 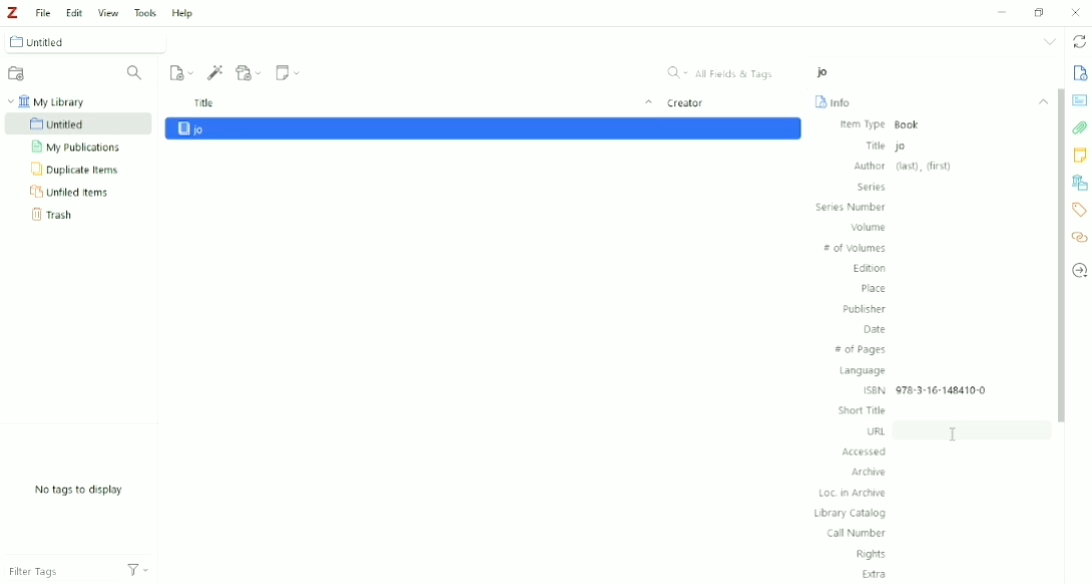 What do you see at coordinates (863, 371) in the screenshot?
I see `Language` at bounding box center [863, 371].